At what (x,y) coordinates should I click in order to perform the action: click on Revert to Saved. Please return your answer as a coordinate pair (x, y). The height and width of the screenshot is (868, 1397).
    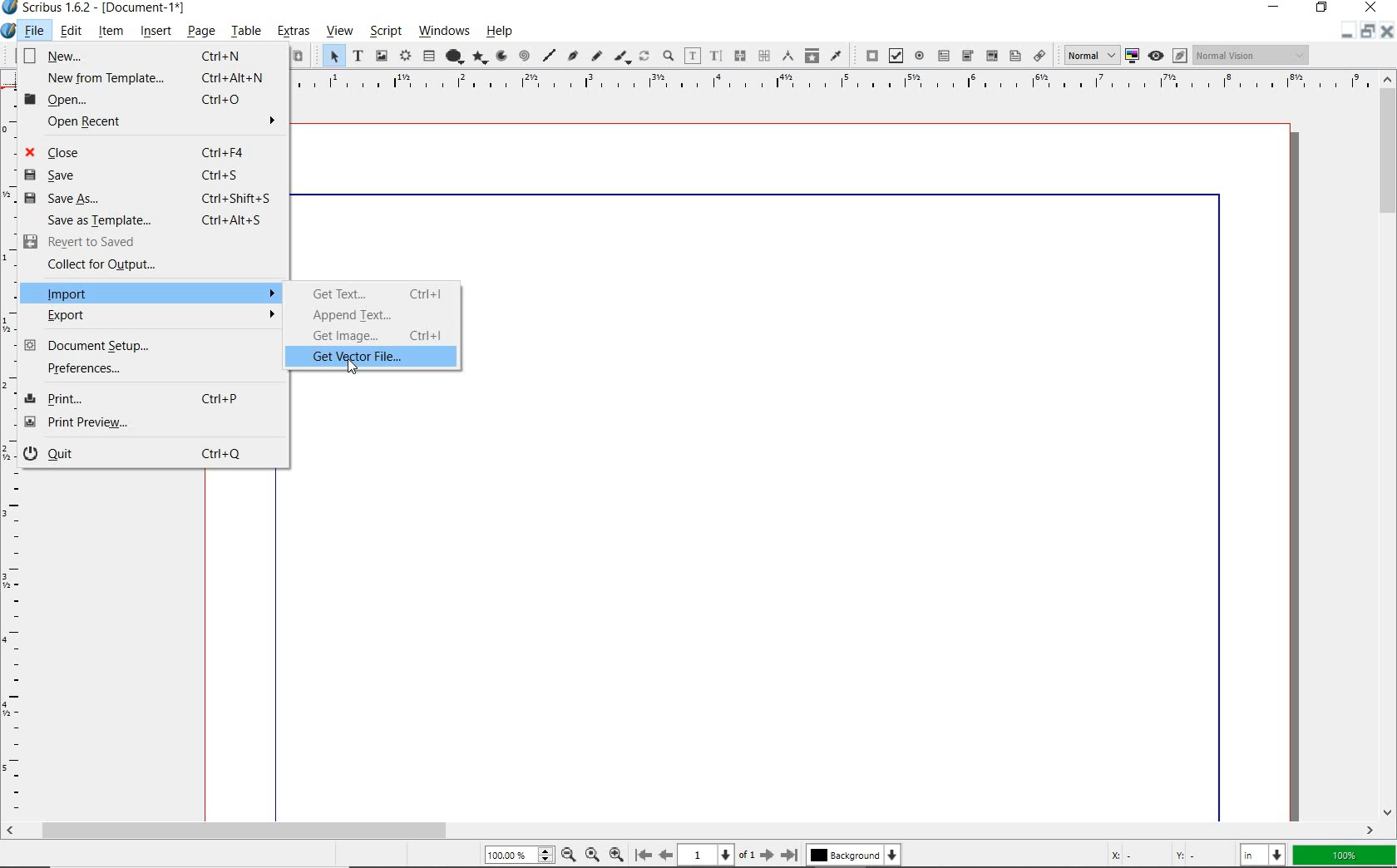
    Looking at the image, I should click on (156, 242).